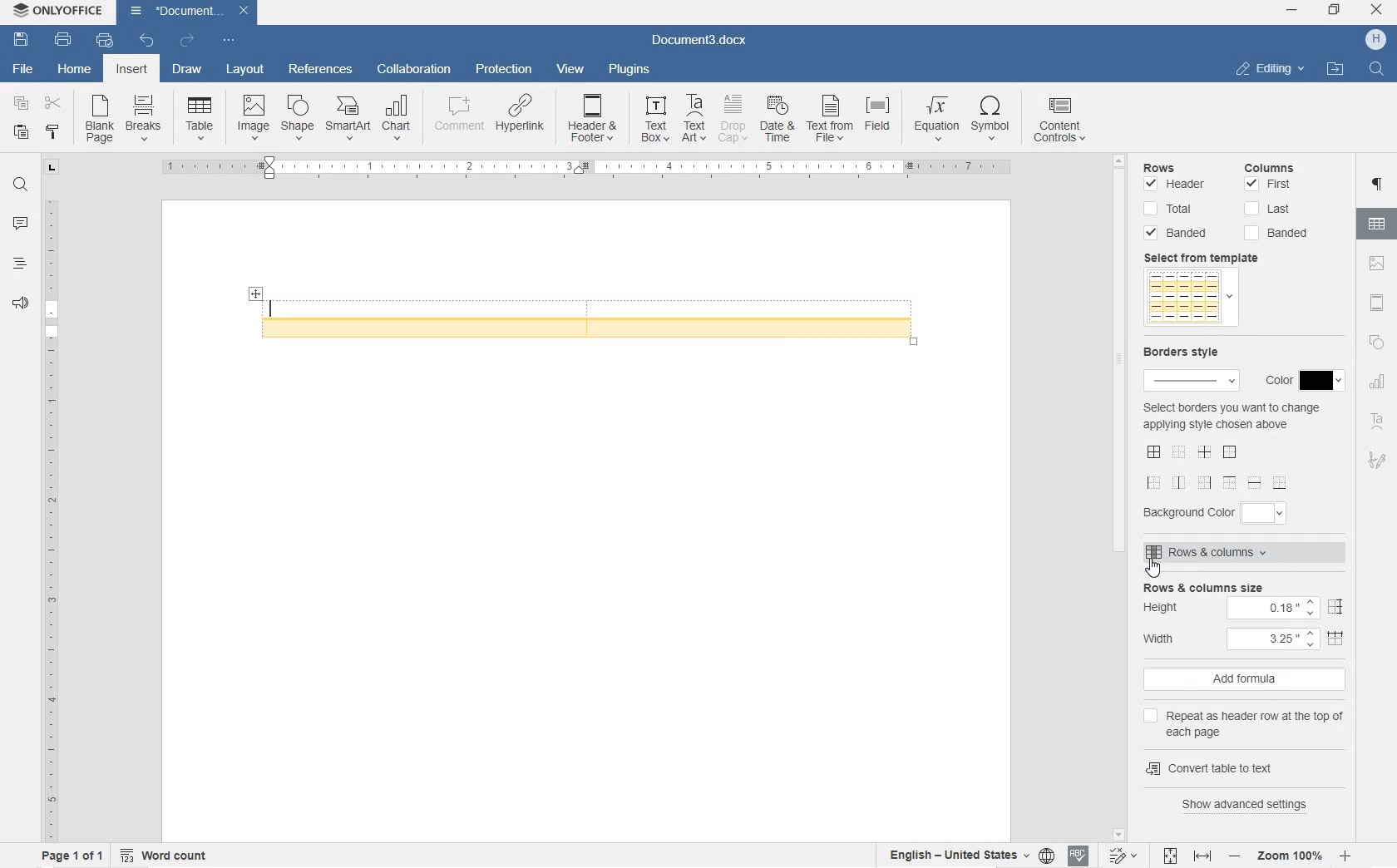  Describe the element at coordinates (1378, 459) in the screenshot. I see `SIGNATURE` at that location.